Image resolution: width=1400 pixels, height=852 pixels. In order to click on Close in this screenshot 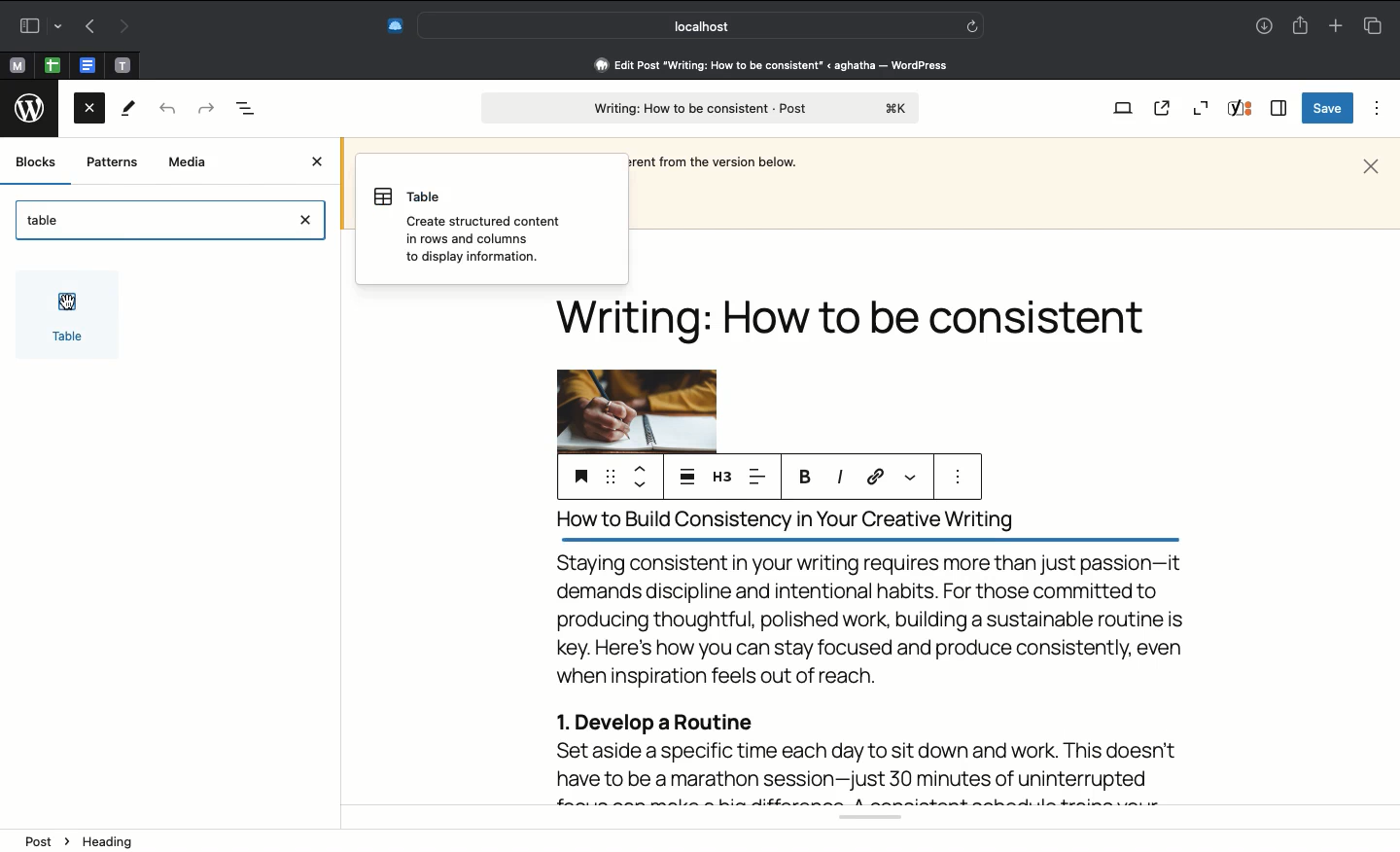, I will do `click(1371, 166)`.